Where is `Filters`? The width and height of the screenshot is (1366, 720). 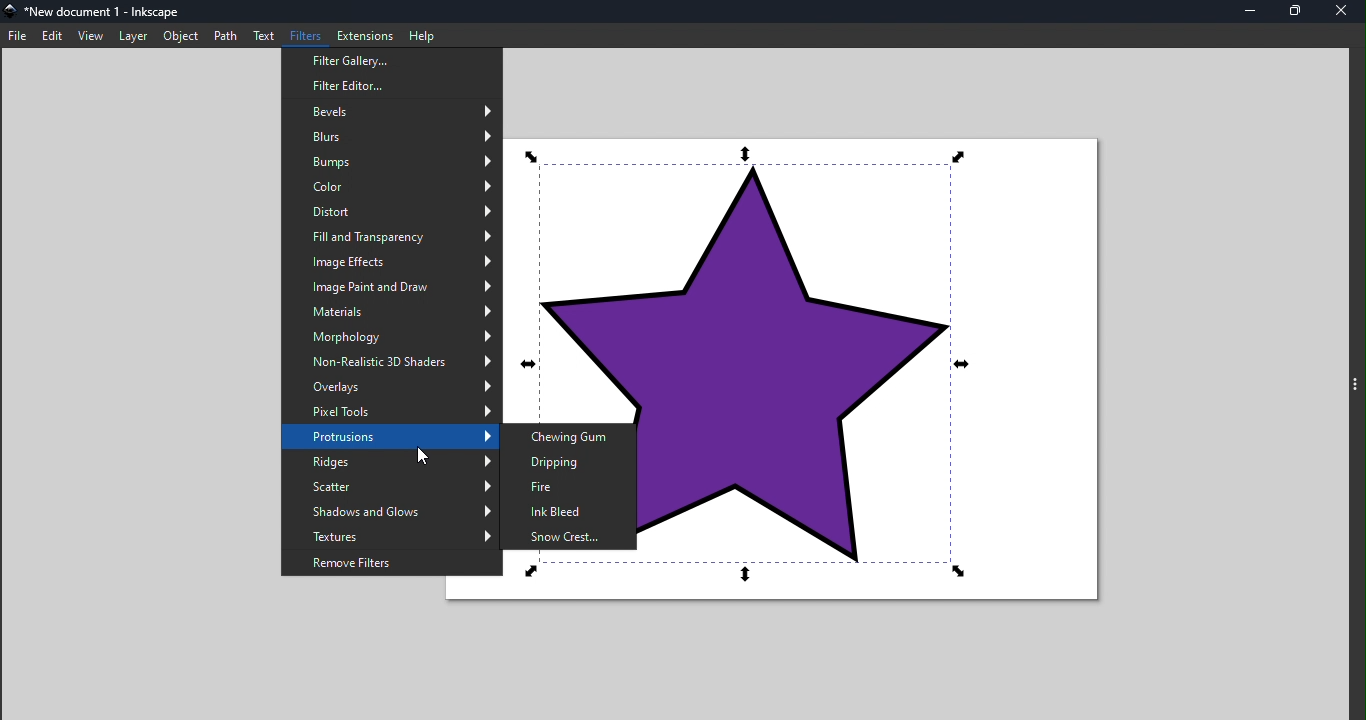
Filters is located at coordinates (308, 36).